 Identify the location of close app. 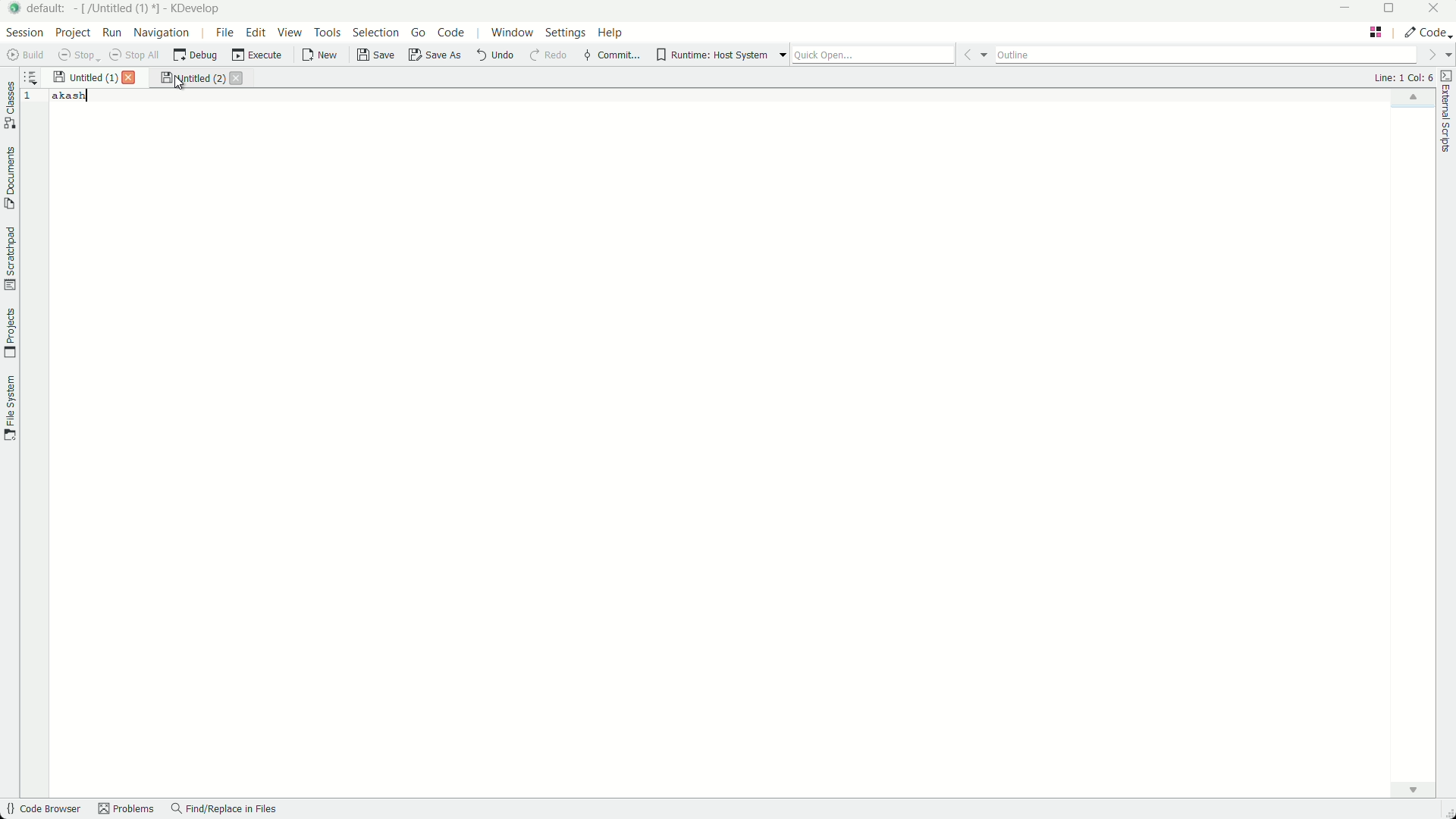
(1437, 11).